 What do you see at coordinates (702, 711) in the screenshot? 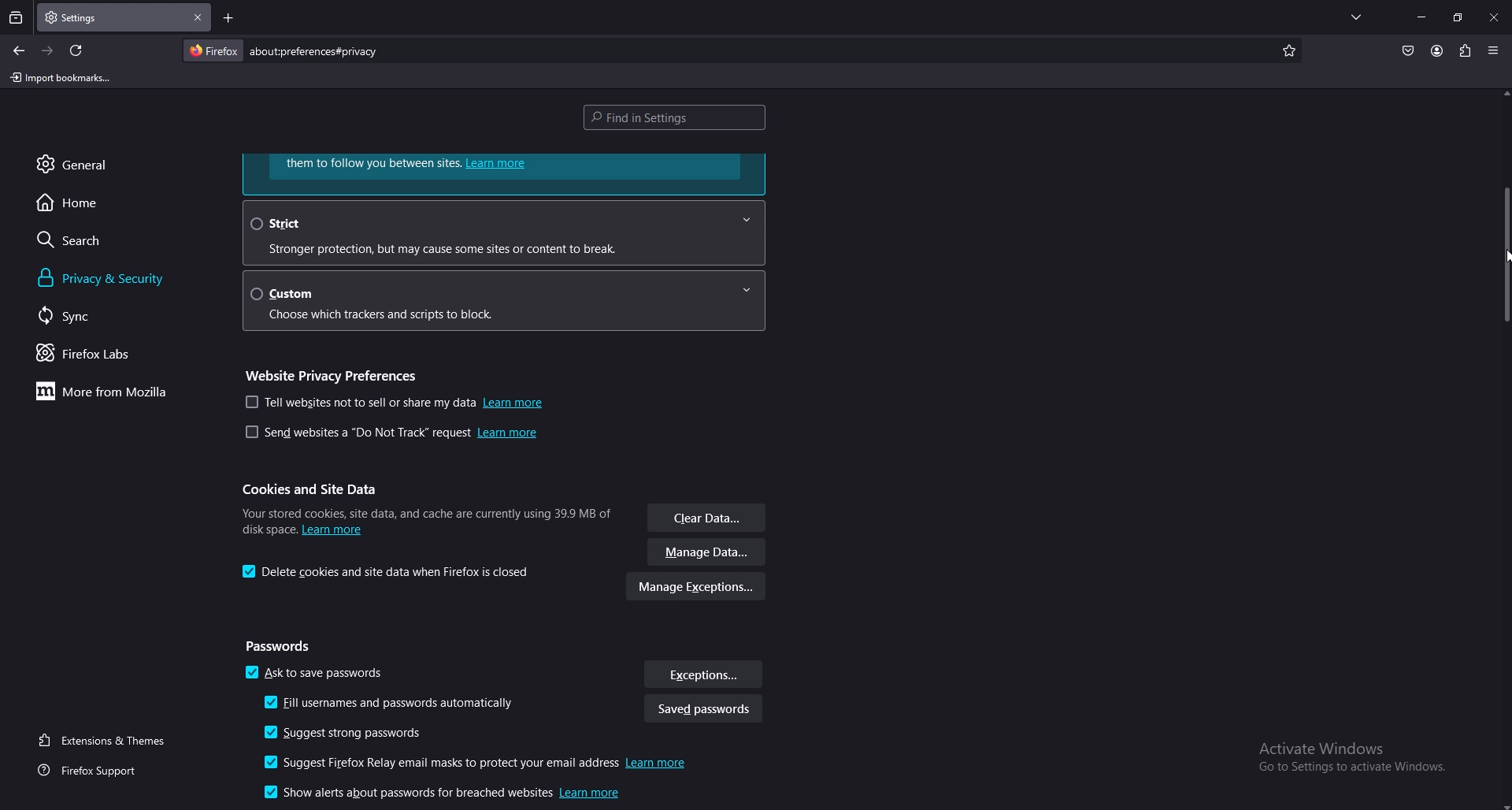
I see `saved password` at bounding box center [702, 711].